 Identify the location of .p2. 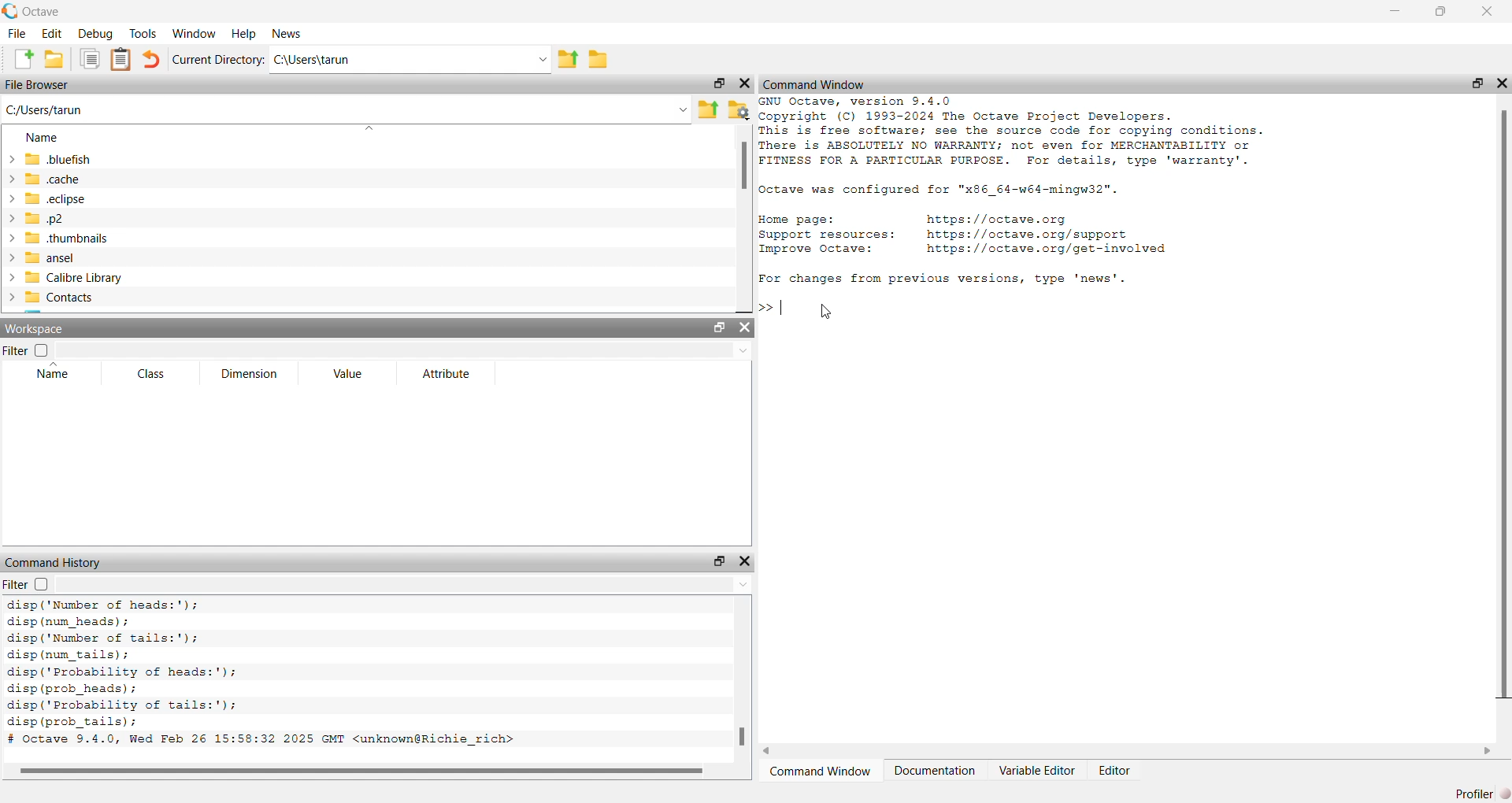
(43, 217).